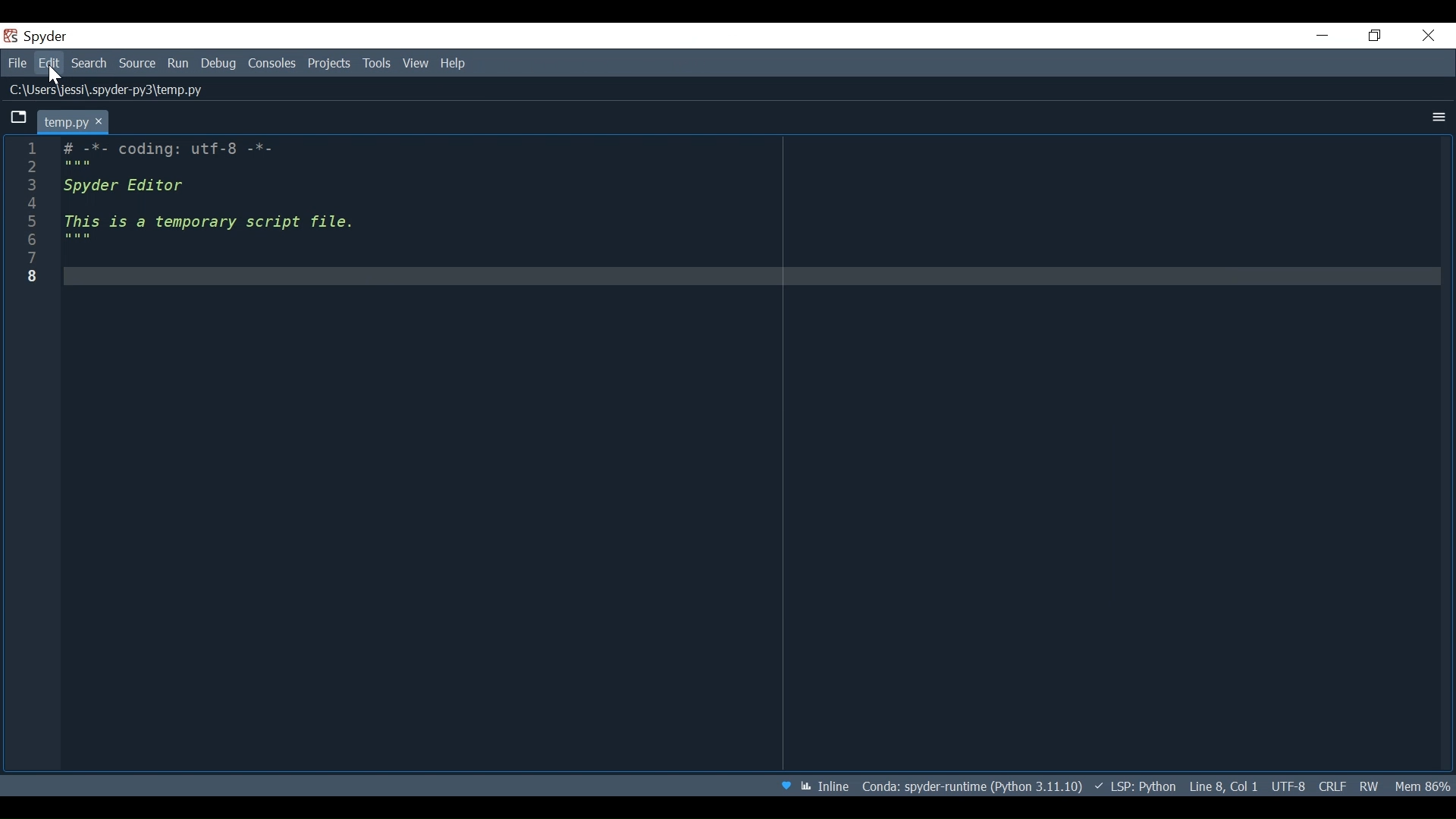  I want to click on code, so click(748, 456).